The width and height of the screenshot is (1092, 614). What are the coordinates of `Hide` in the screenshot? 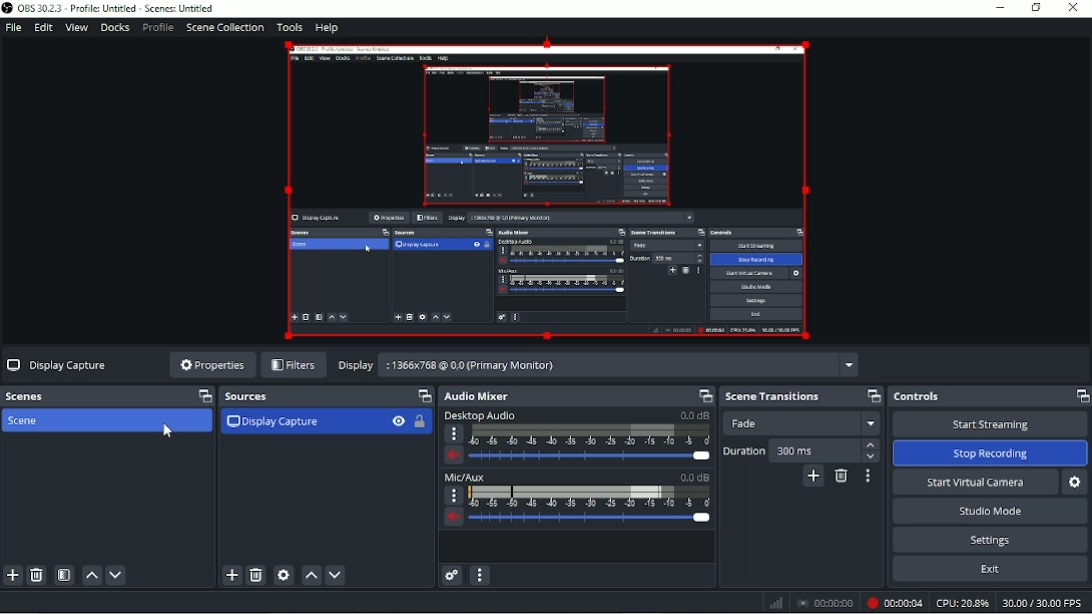 It's located at (398, 423).